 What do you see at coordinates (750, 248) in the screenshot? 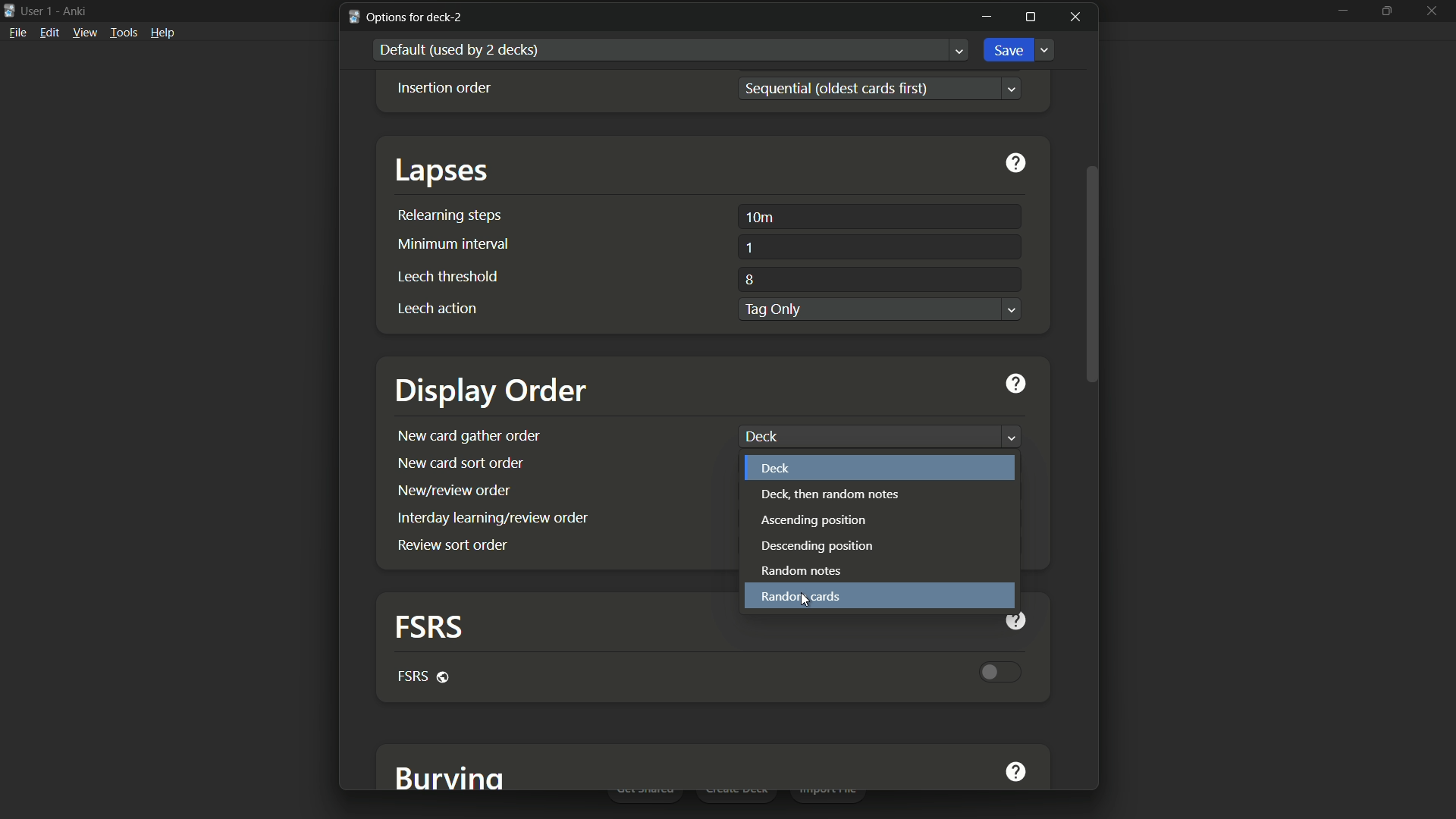
I see `1` at bounding box center [750, 248].